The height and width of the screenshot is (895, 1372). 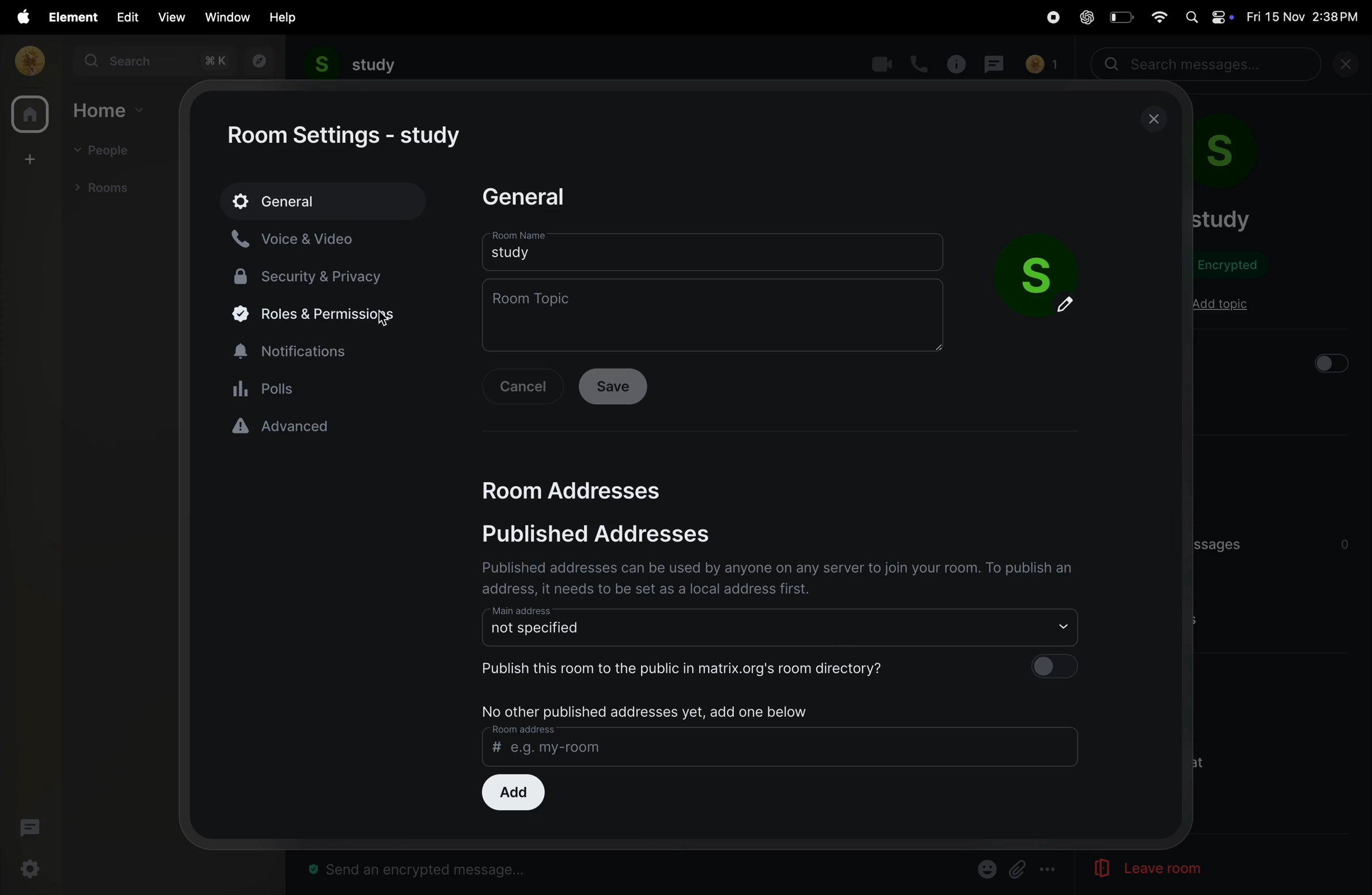 What do you see at coordinates (107, 152) in the screenshot?
I see `people` at bounding box center [107, 152].